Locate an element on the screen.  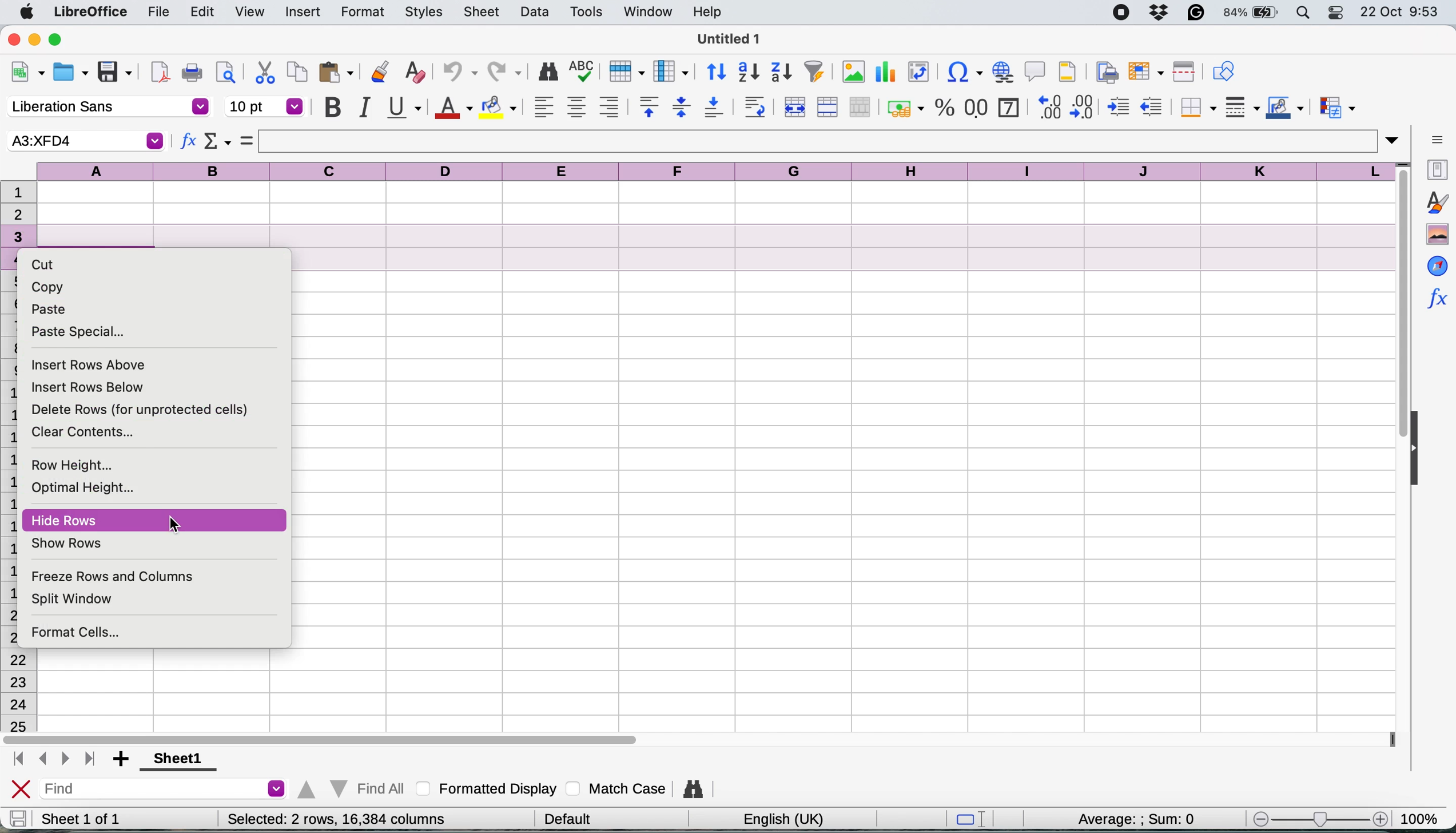
screen recorder is located at coordinates (1126, 14).